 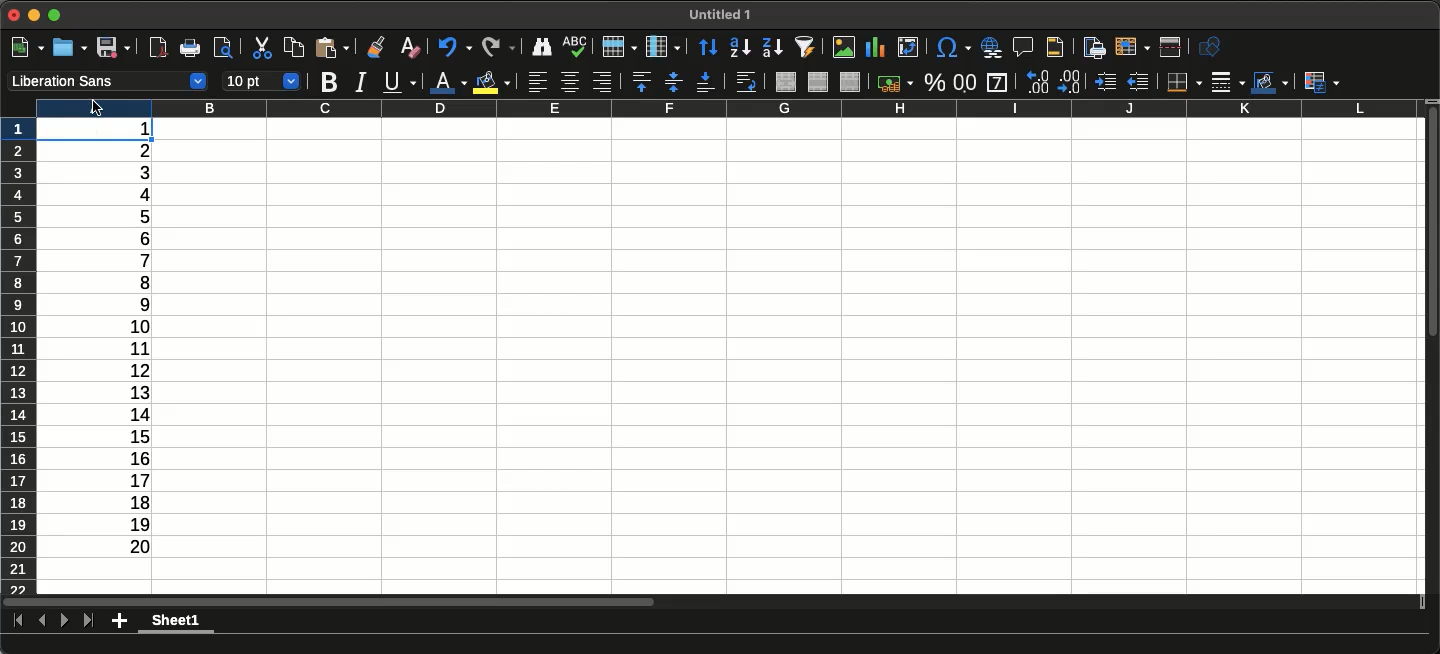 What do you see at coordinates (332, 47) in the screenshot?
I see `Paste` at bounding box center [332, 47].